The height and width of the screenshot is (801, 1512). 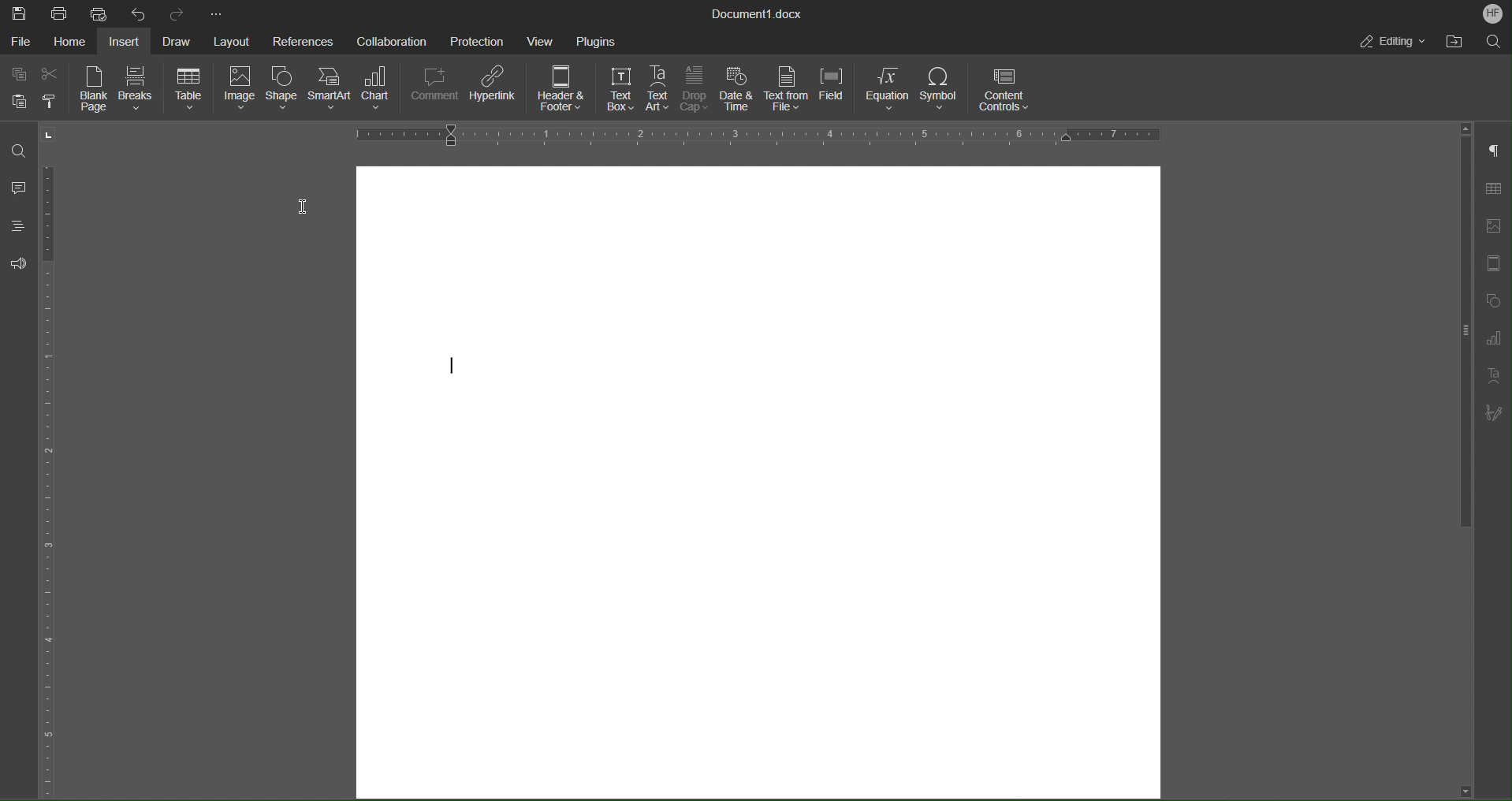 What do you see at coordinates (15, 226) in the screenshot?
I see `Headings` at bounding box center [15, 226].